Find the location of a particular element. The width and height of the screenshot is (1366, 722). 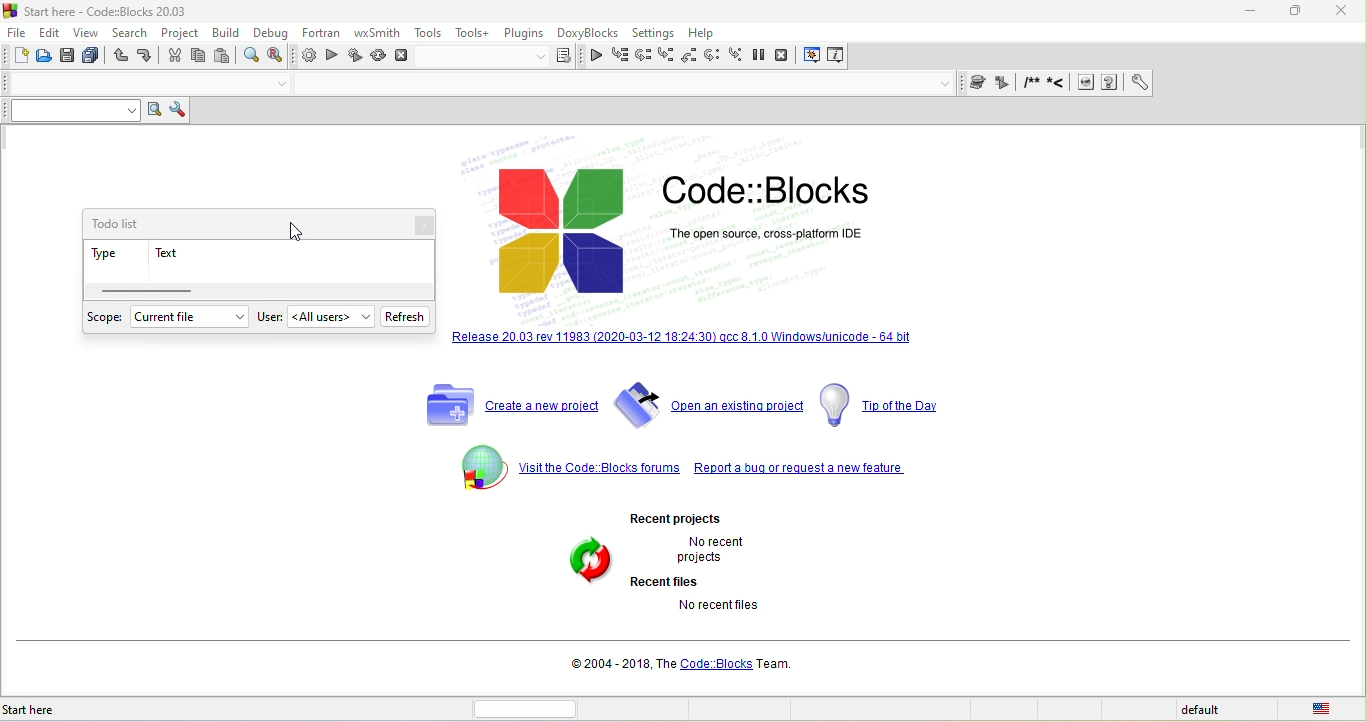

wxsmith is located at coordinates (377, 32).